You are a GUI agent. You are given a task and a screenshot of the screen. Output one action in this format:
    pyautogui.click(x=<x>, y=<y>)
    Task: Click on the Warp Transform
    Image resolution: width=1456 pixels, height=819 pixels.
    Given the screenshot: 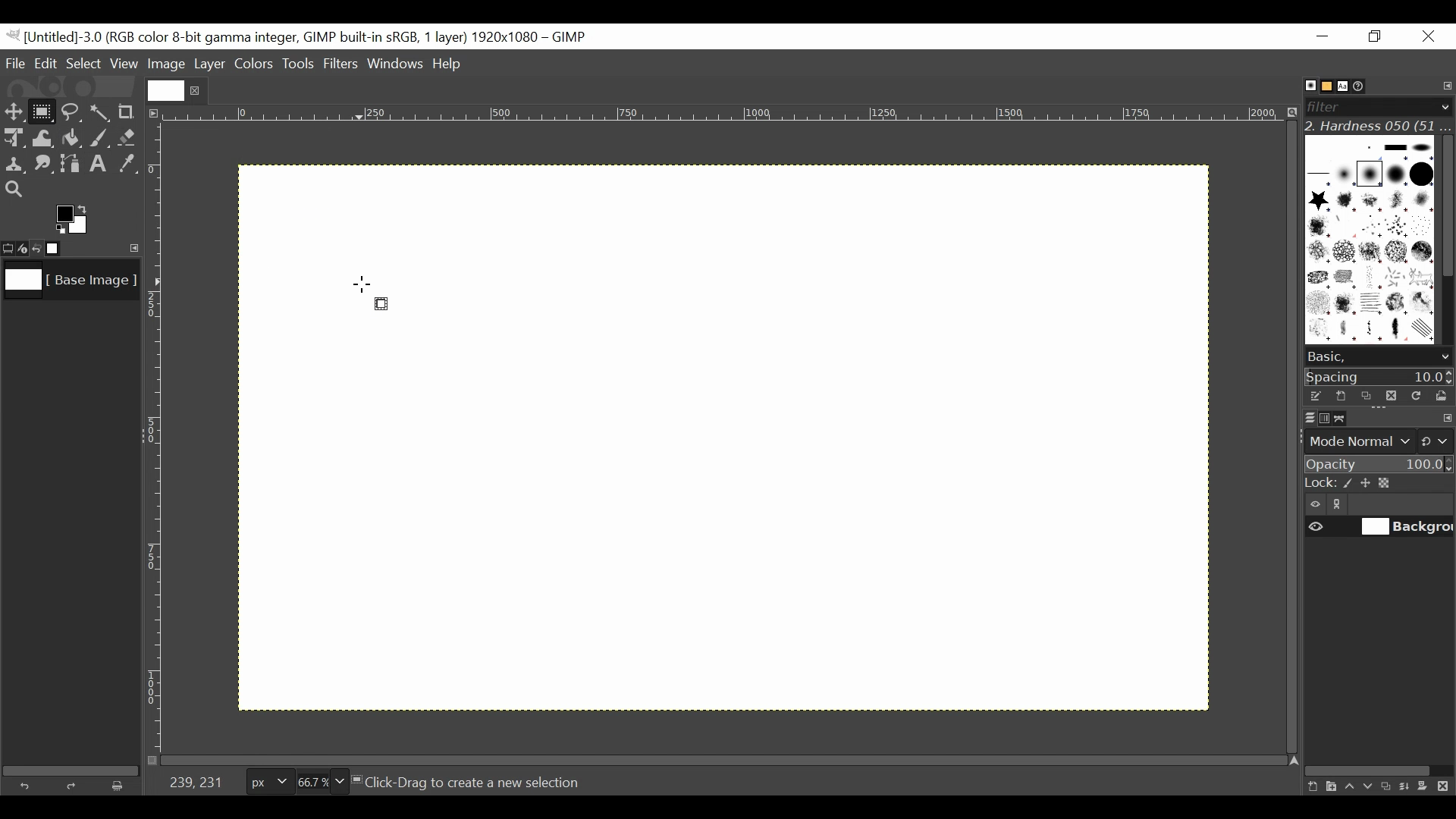 What is the action you would take?
    pyautogui.click(x=42, y=140)
    